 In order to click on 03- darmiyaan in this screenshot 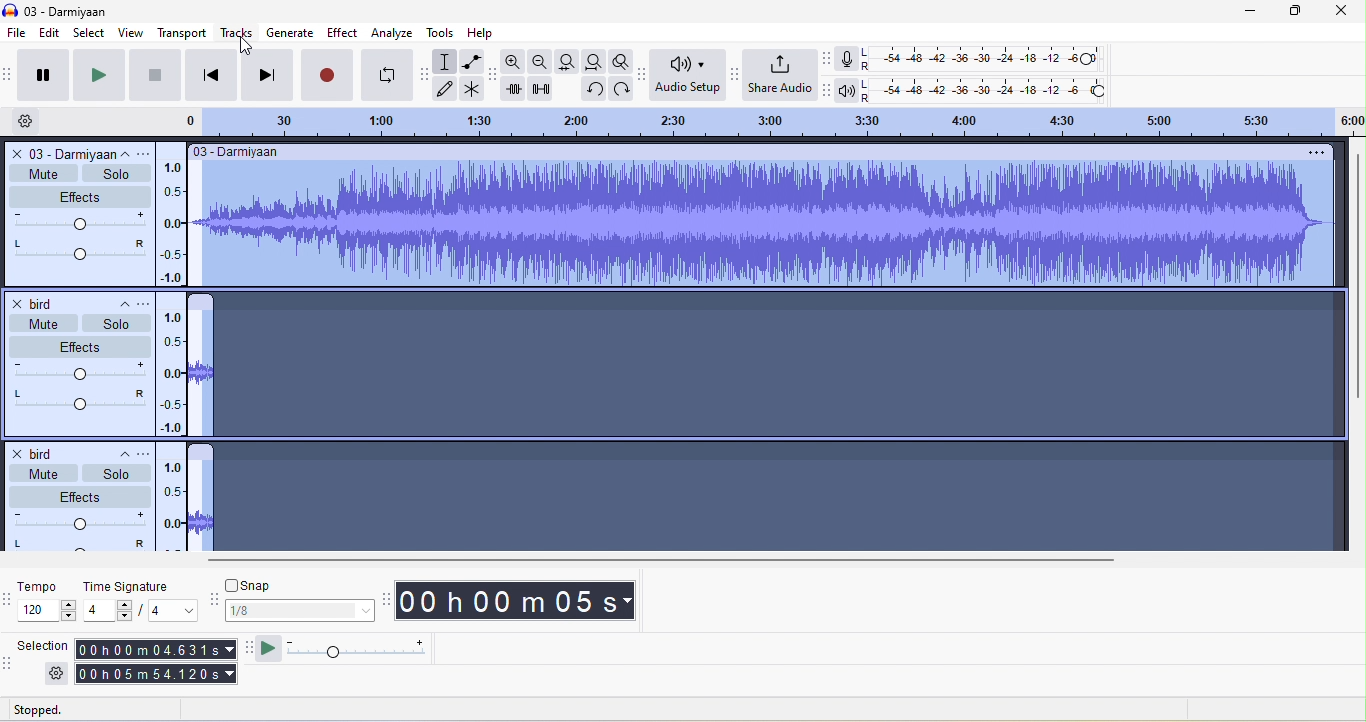, I will do `click(238, 152)`.